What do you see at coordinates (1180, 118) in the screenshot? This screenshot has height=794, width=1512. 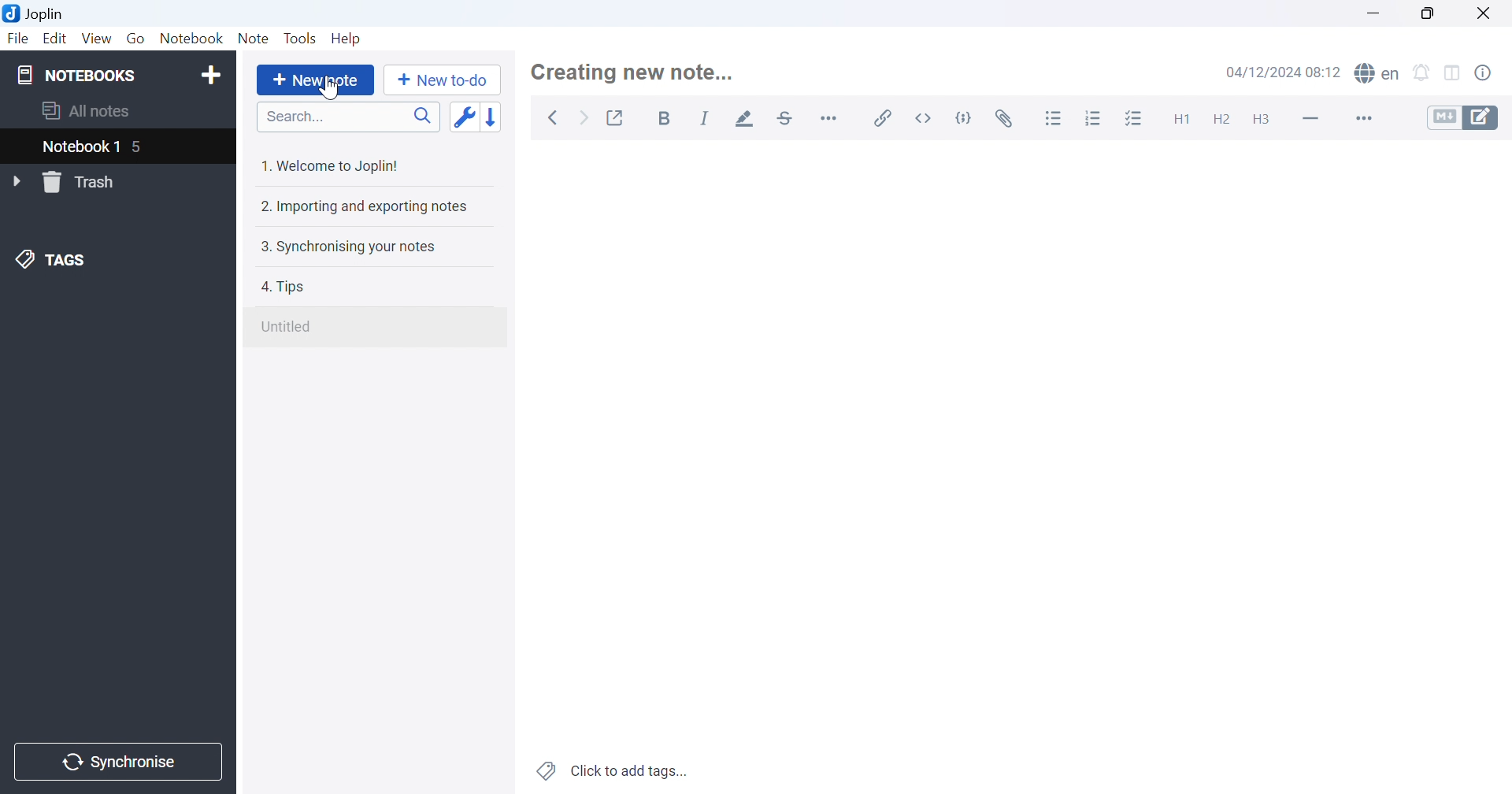 I see `Heading 1` at bounding box center [1180, 118].